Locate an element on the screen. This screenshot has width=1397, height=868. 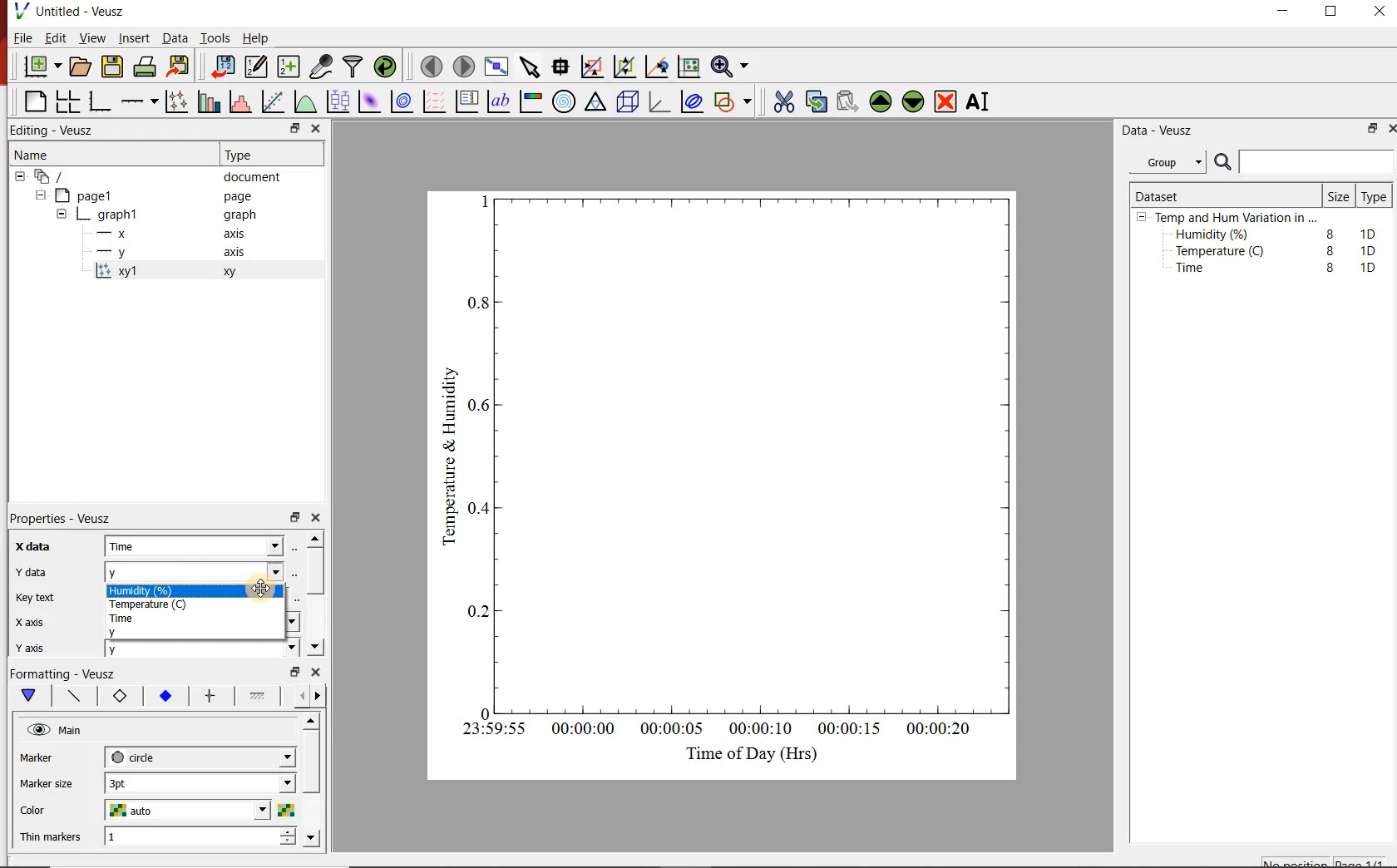
Marker size is located at coordinates (54, 782).